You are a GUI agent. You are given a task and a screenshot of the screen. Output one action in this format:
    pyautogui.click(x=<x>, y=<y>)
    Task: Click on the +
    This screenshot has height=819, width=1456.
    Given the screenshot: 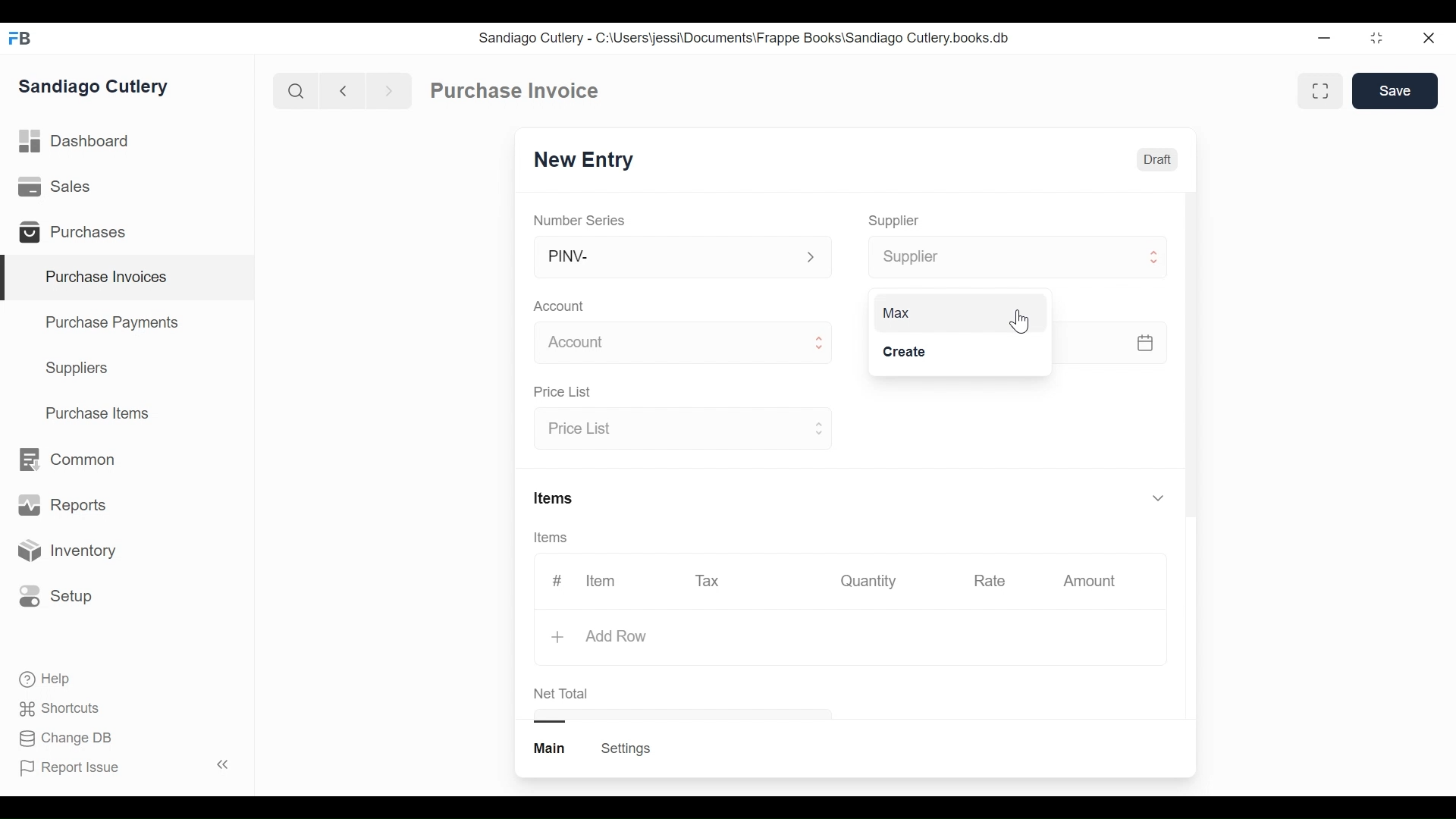 What is the action you would take?
    pyautogui.click(x=560, y=639)
    